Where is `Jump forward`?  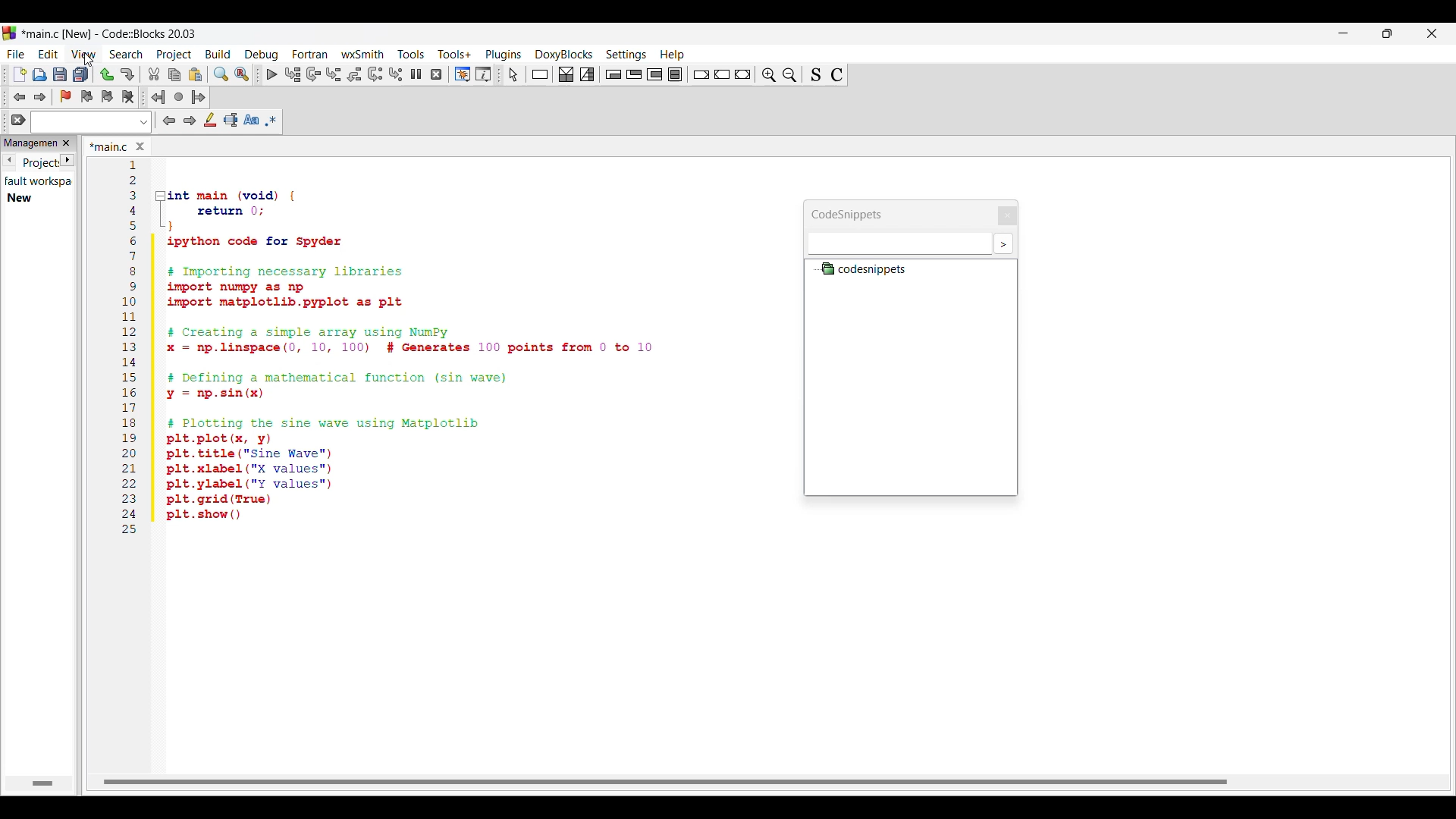
Jump forward is located at coordinates (199, 97).